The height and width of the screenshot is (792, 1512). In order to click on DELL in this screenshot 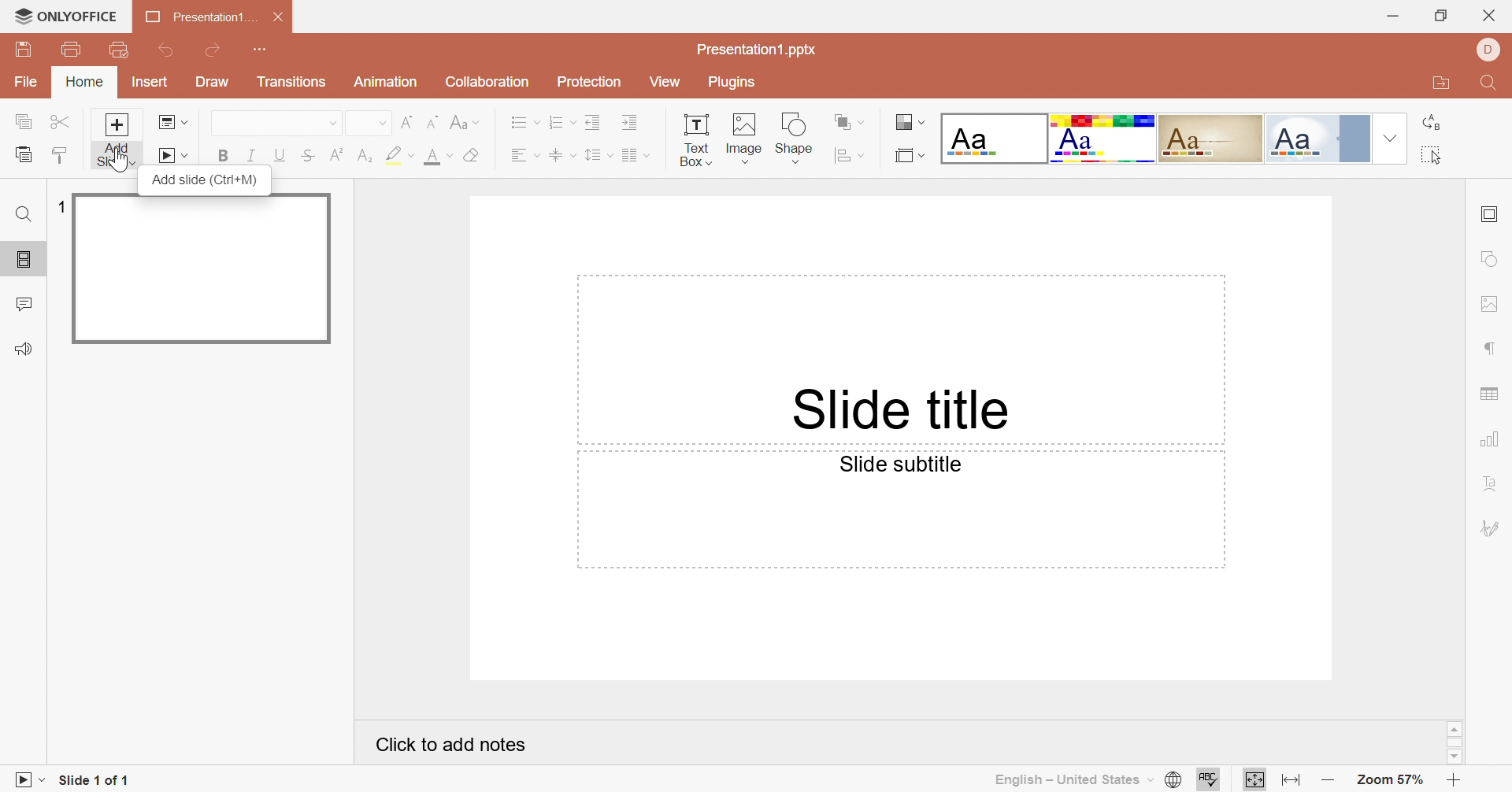, I will do `click(1489, 50)`.